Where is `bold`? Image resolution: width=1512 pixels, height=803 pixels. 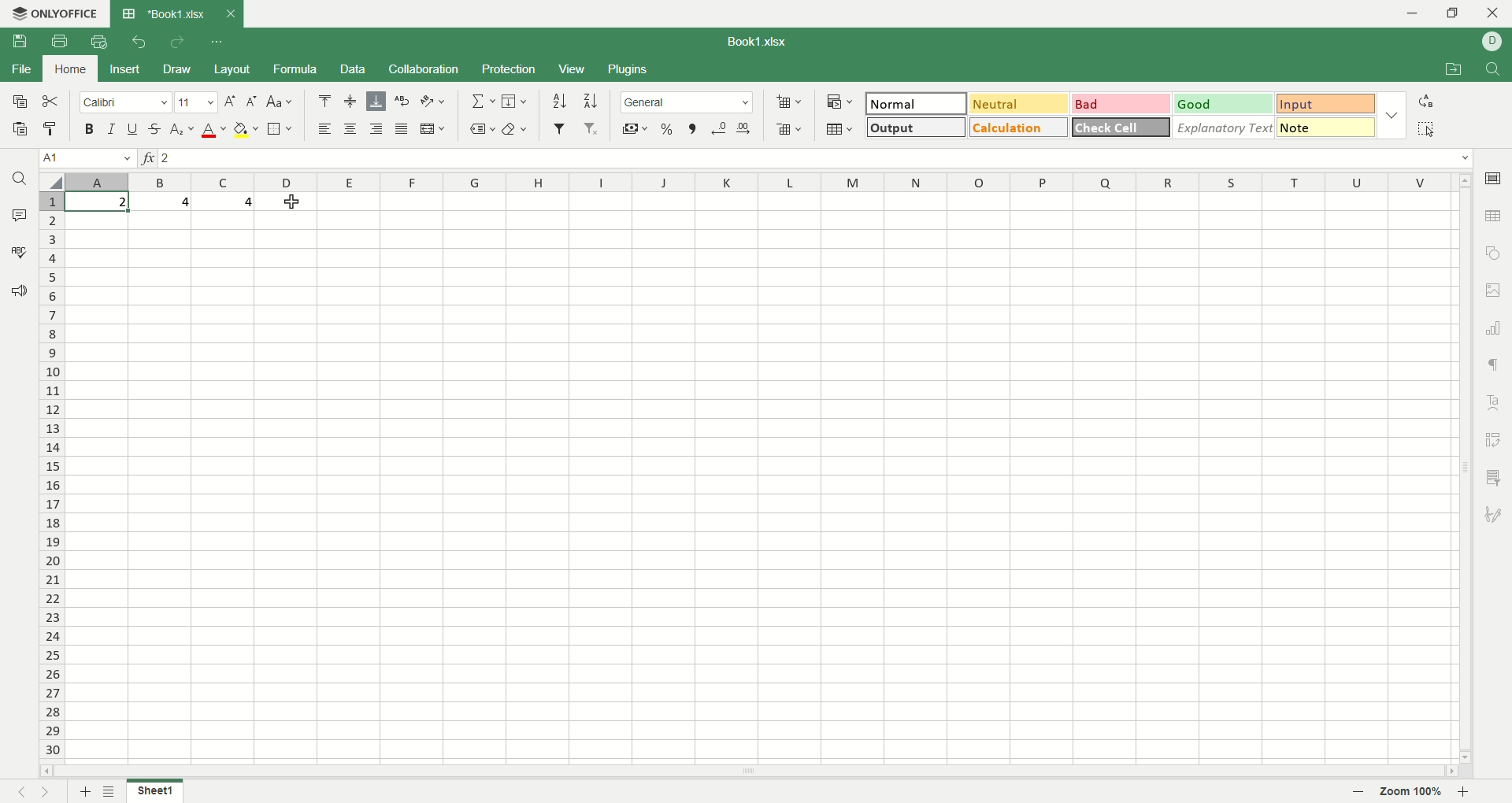 bold is located at coordinates (87, 128).